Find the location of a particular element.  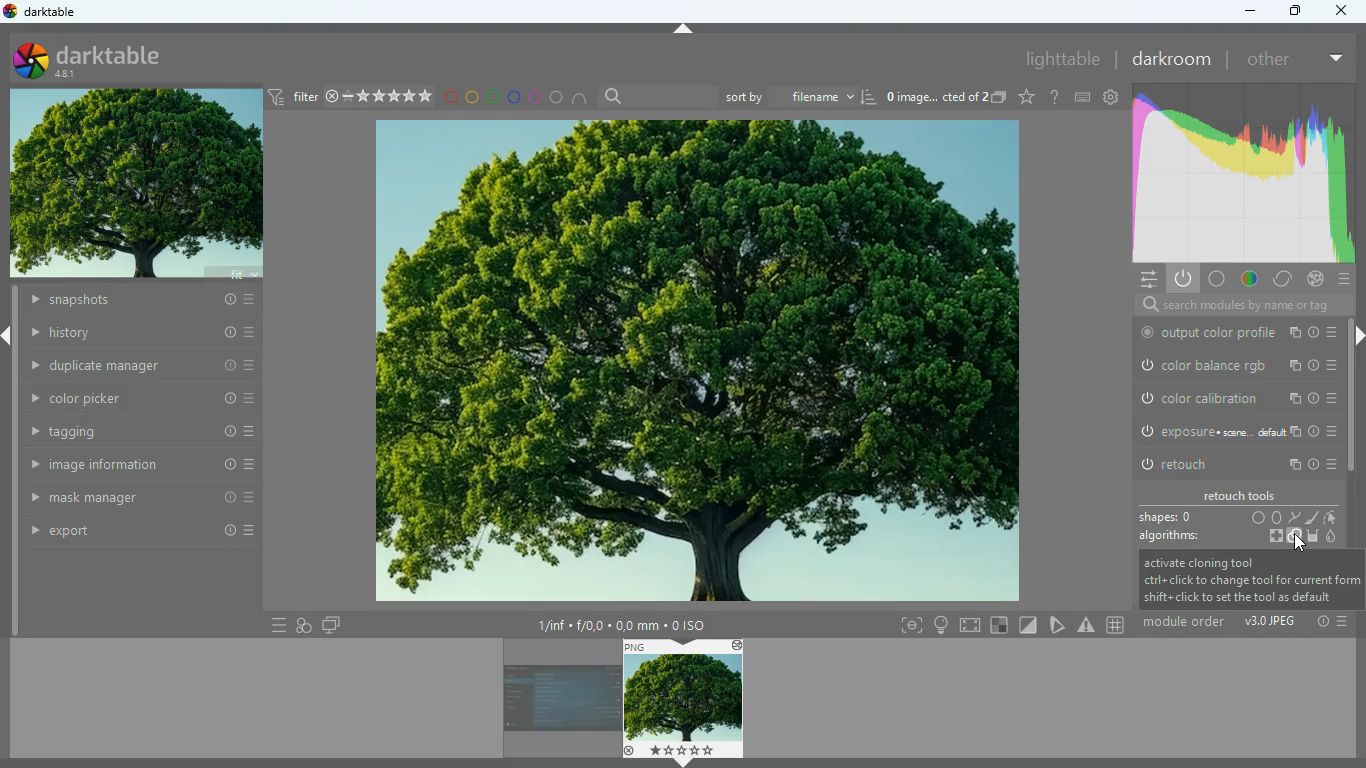

module order is located at coordinates (1188, 623).